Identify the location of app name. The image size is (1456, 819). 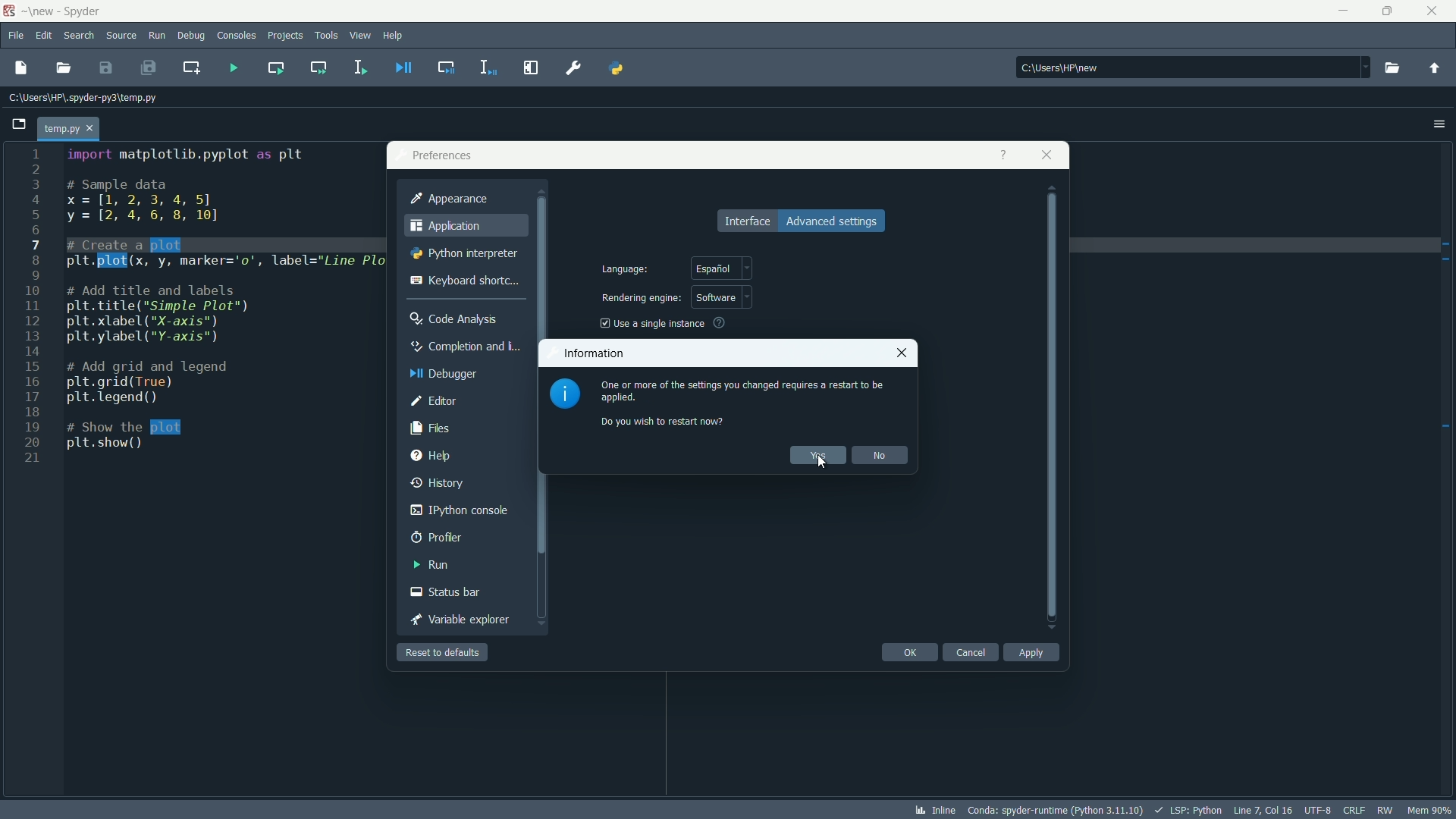
(82, 13).